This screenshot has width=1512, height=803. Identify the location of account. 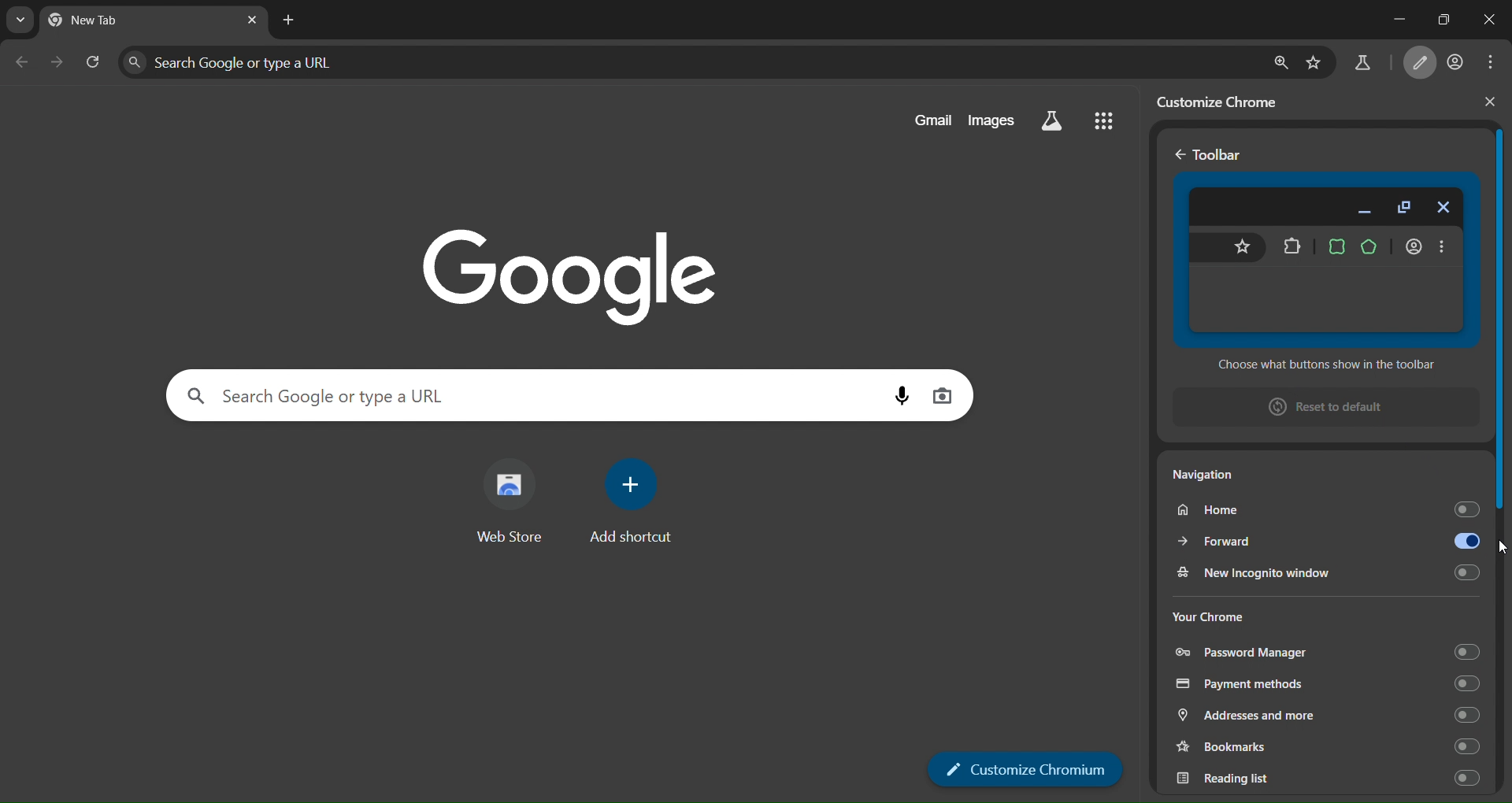
(1457, 63).